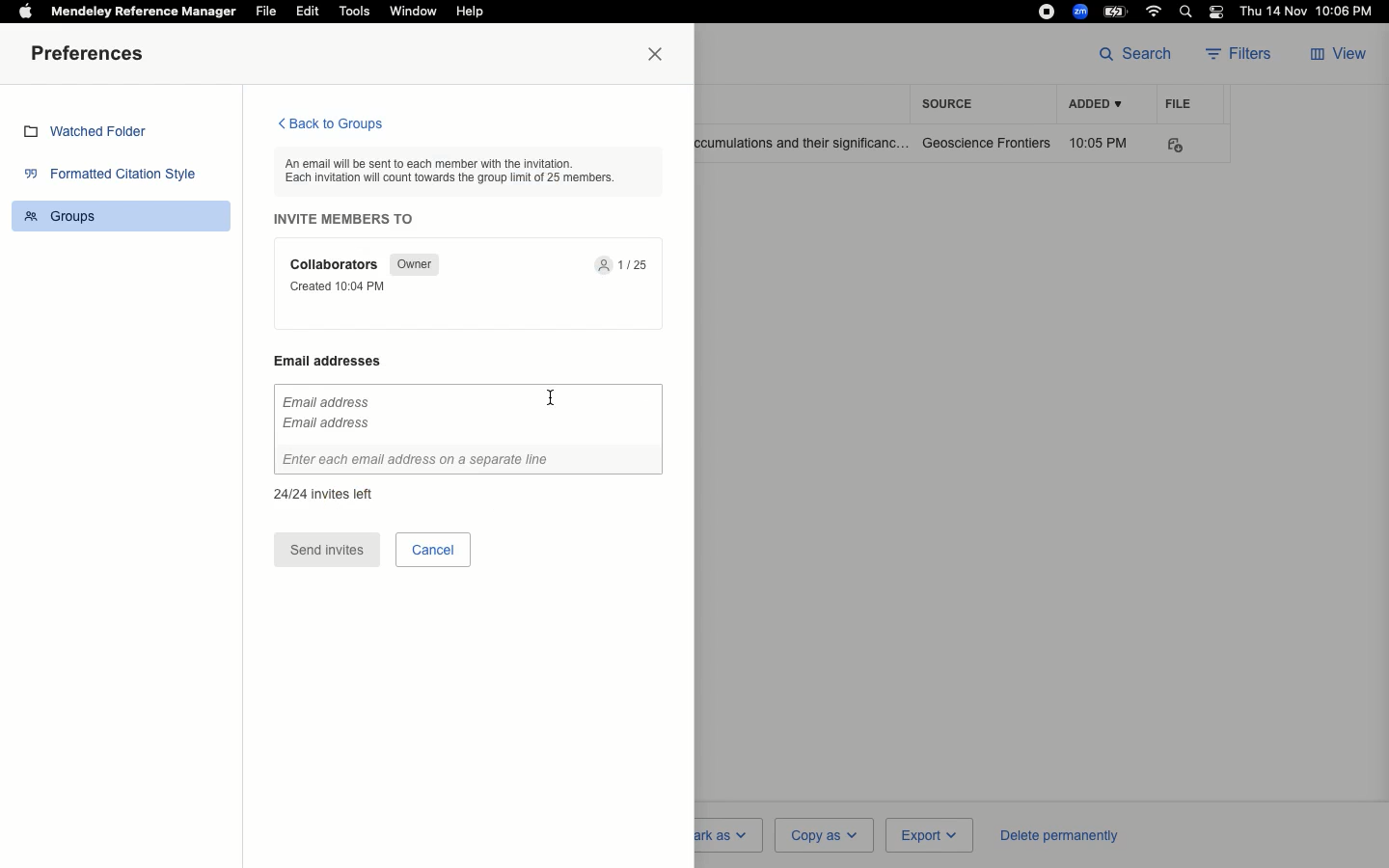  What do you see at coordinates (1188, 14) in the screenshot?
I see `Search` at bounding box center [1188, 14].